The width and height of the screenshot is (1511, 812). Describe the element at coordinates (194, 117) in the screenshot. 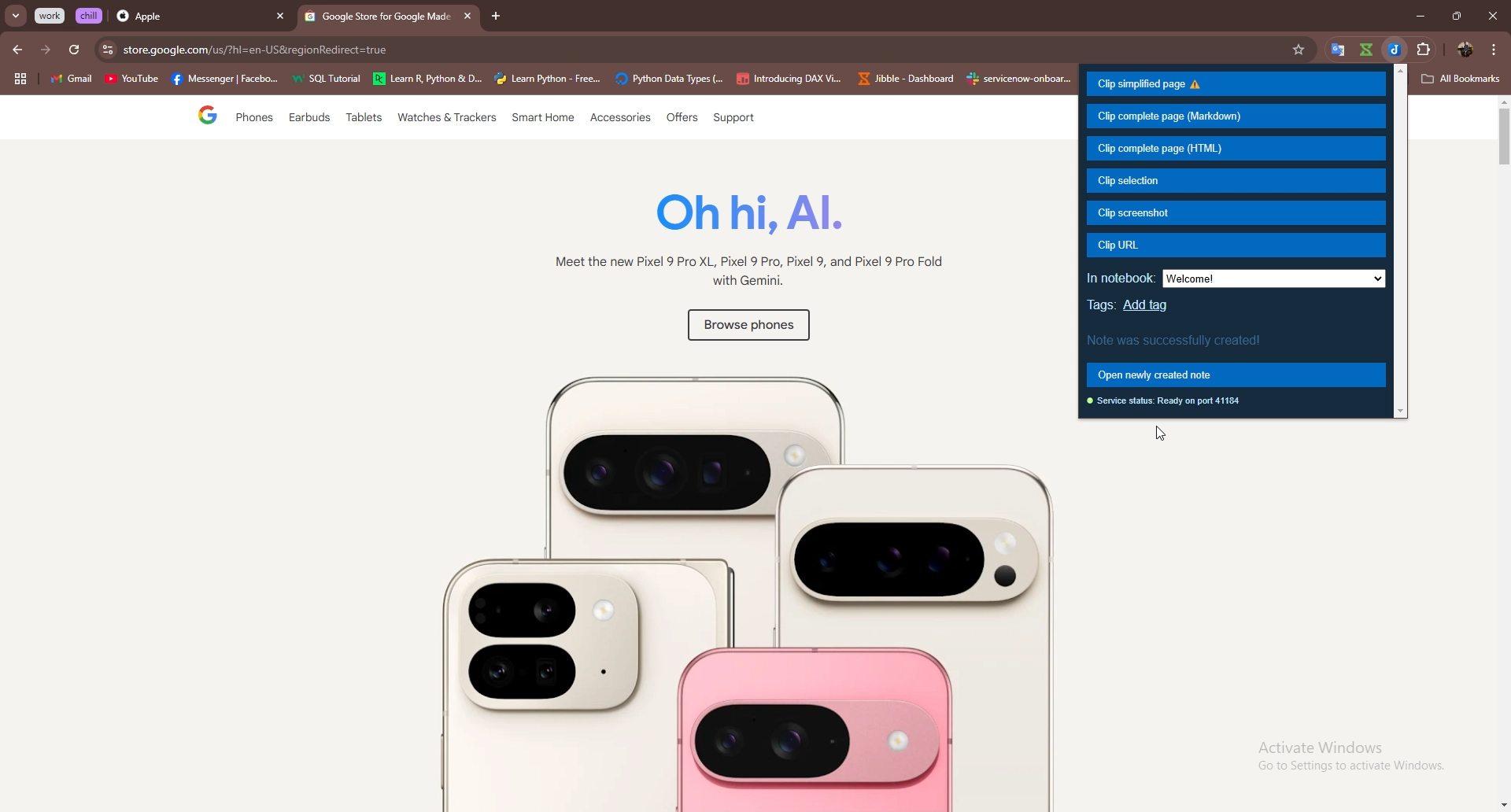

I see `Google page` at that location.